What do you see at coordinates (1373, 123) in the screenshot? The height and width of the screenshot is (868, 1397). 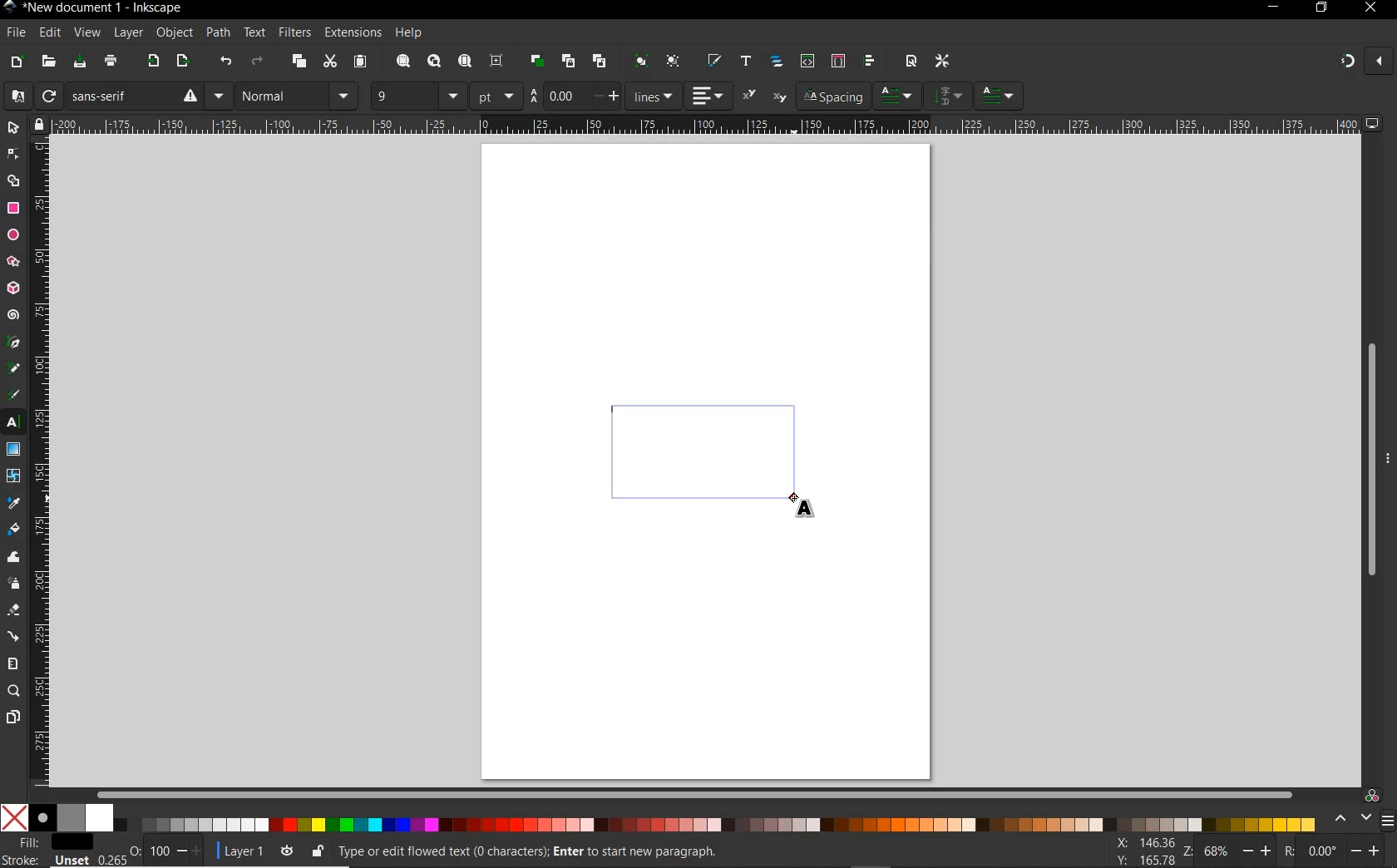 I see `computer icon` at bounding box center [1373, 123].